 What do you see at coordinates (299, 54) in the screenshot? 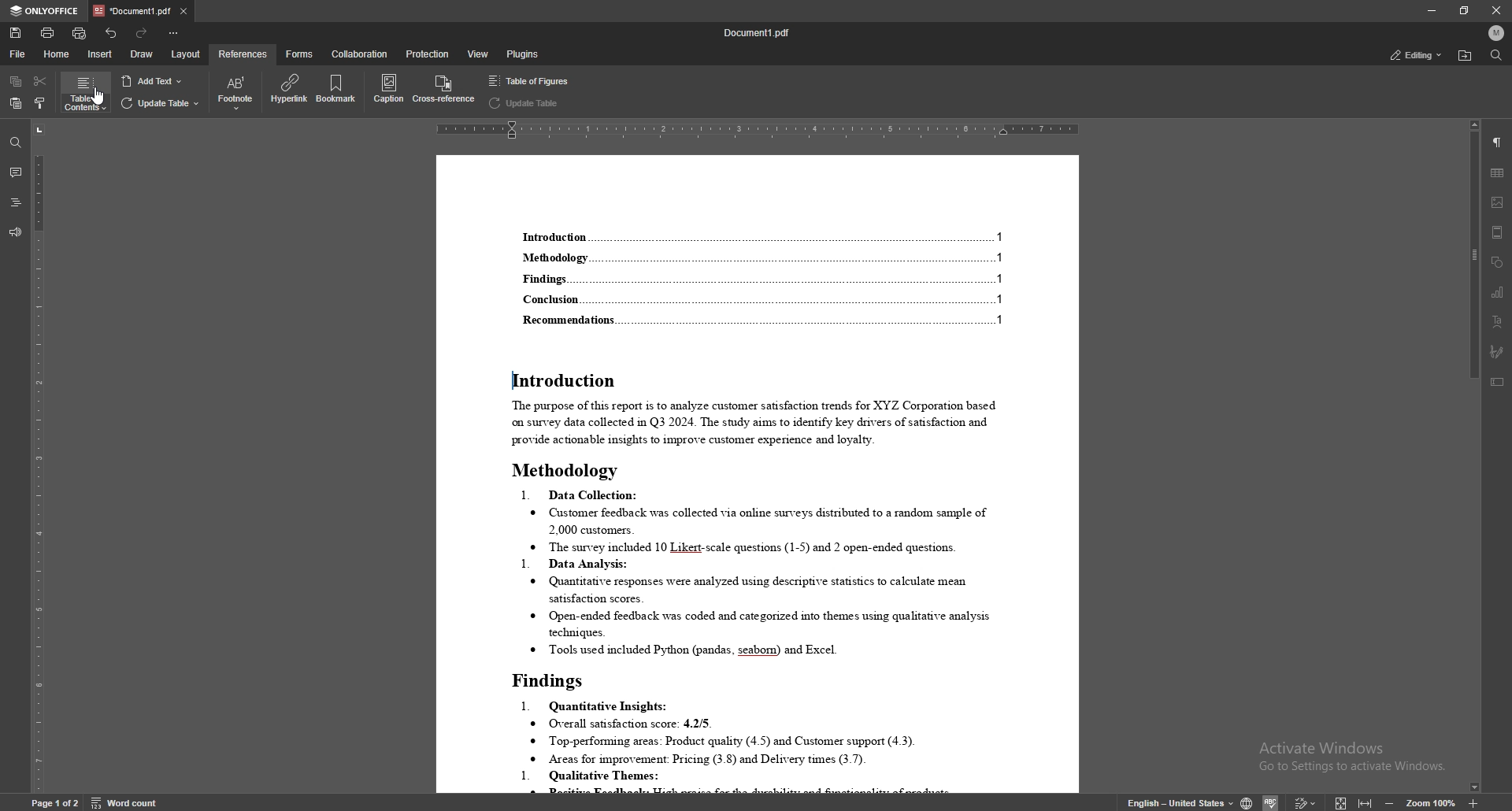
I see `forms` at bounding box center [299, 54].